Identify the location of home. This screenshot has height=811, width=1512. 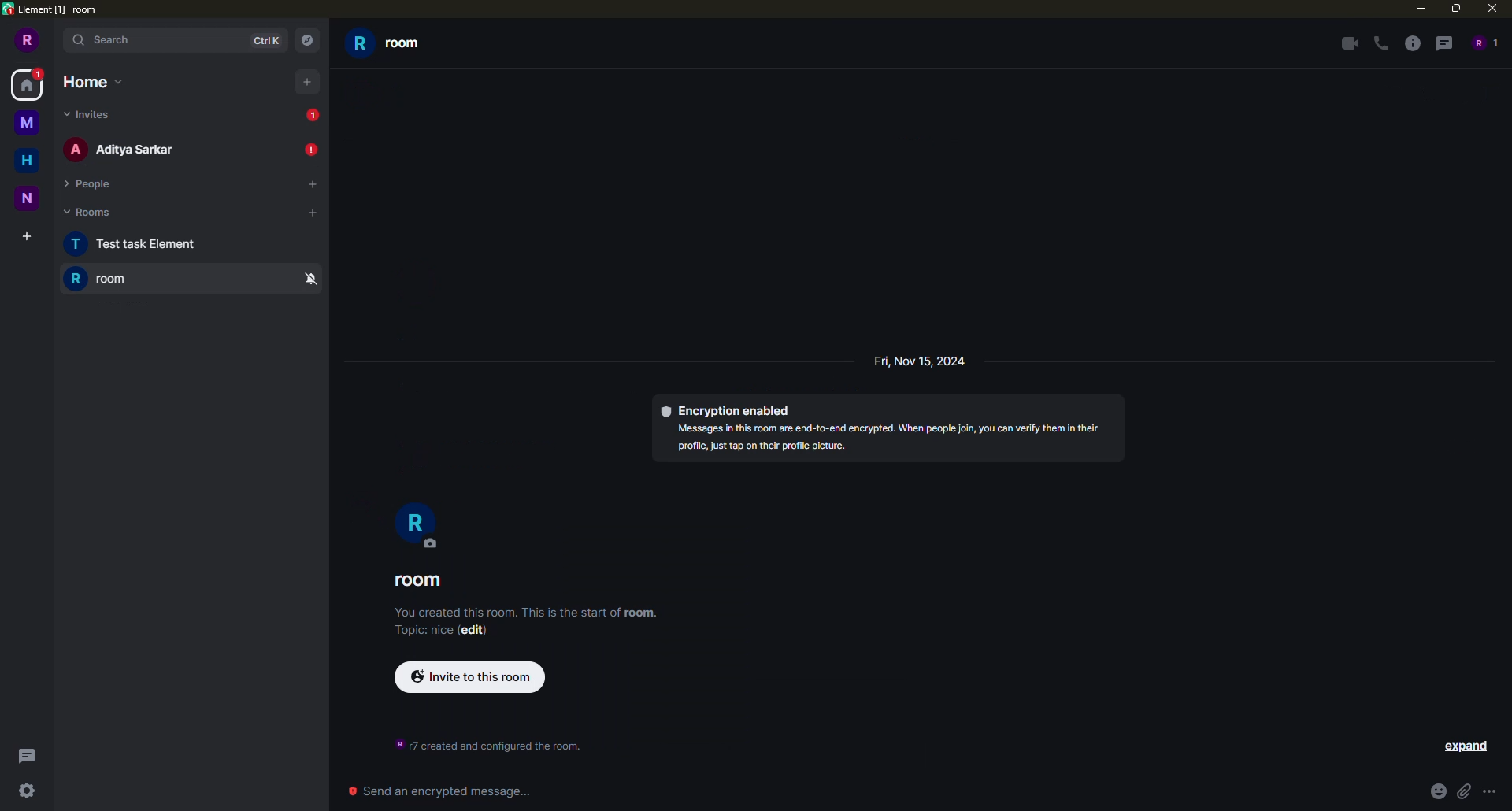
(27, 160).